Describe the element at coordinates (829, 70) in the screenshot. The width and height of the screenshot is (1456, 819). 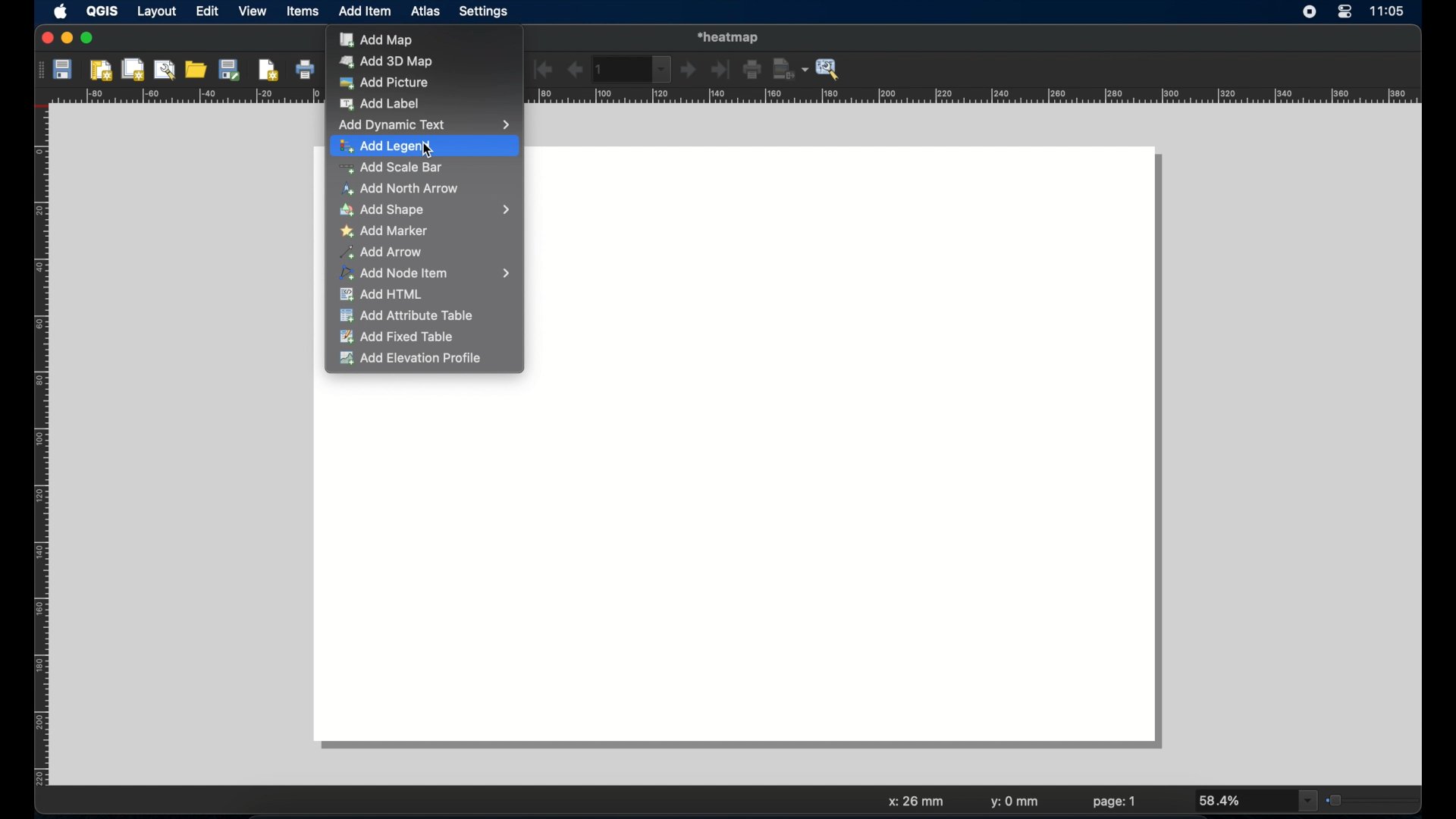
I see `atlas settings` at that location.